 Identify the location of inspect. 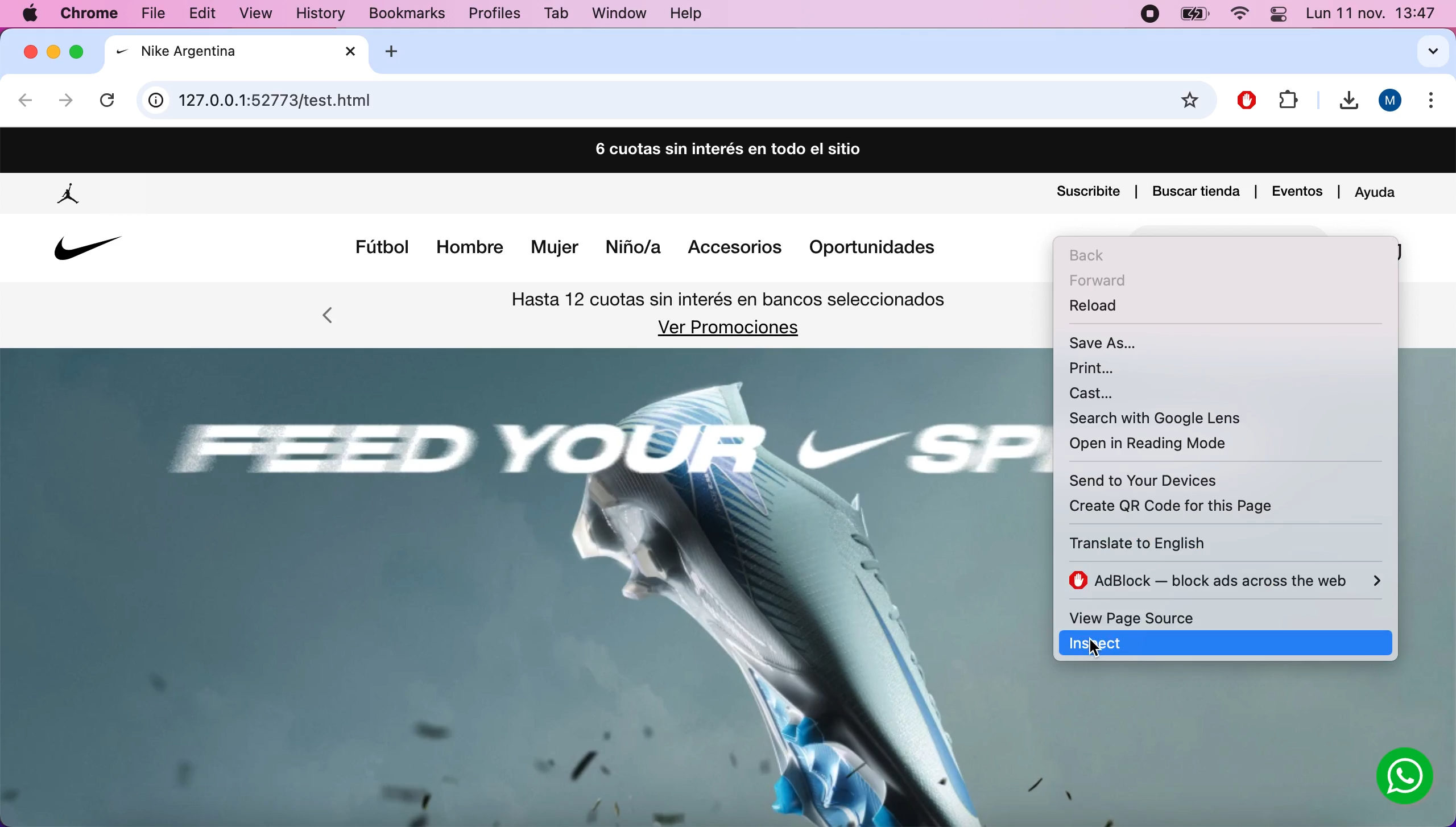
(1247, 643).